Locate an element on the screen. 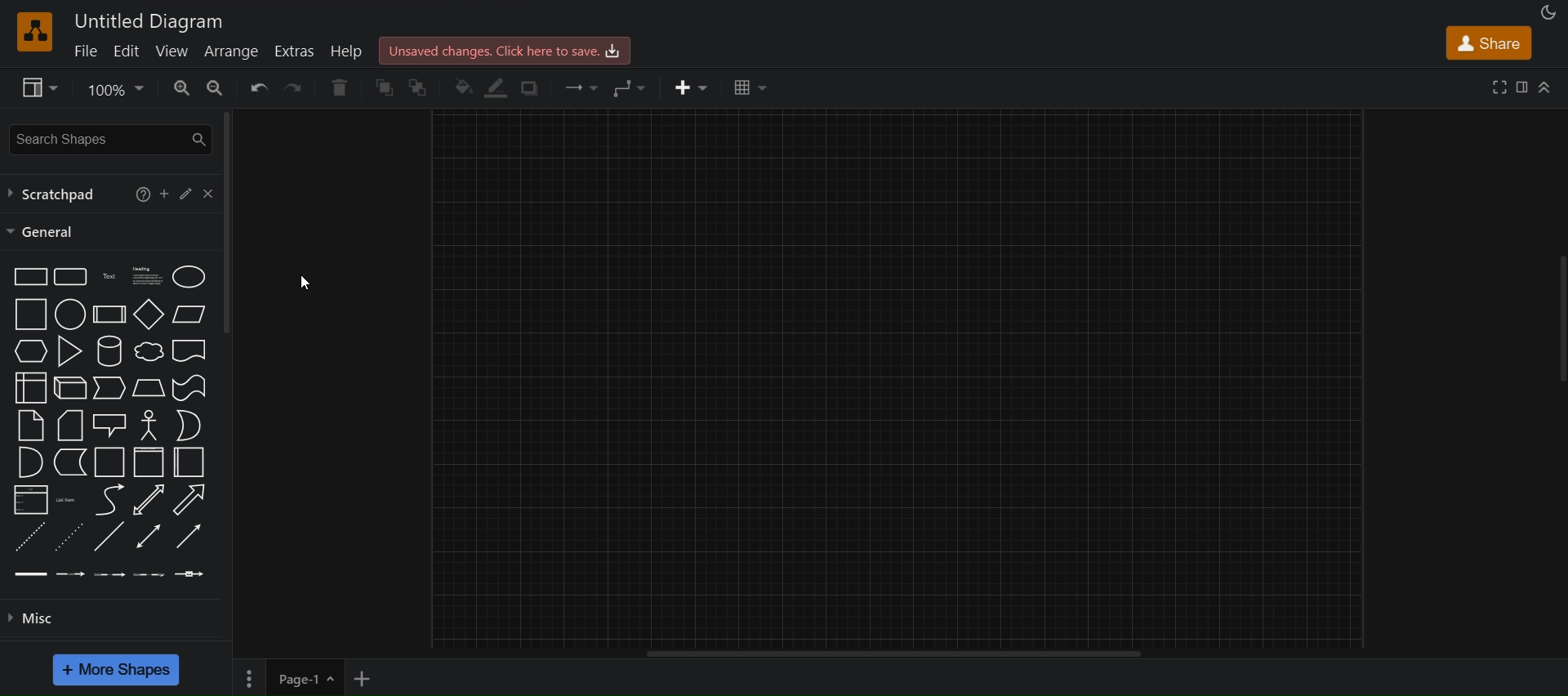 The width and height of the screenshot is (1568, 696). add new is located at coordinates (368, 675).